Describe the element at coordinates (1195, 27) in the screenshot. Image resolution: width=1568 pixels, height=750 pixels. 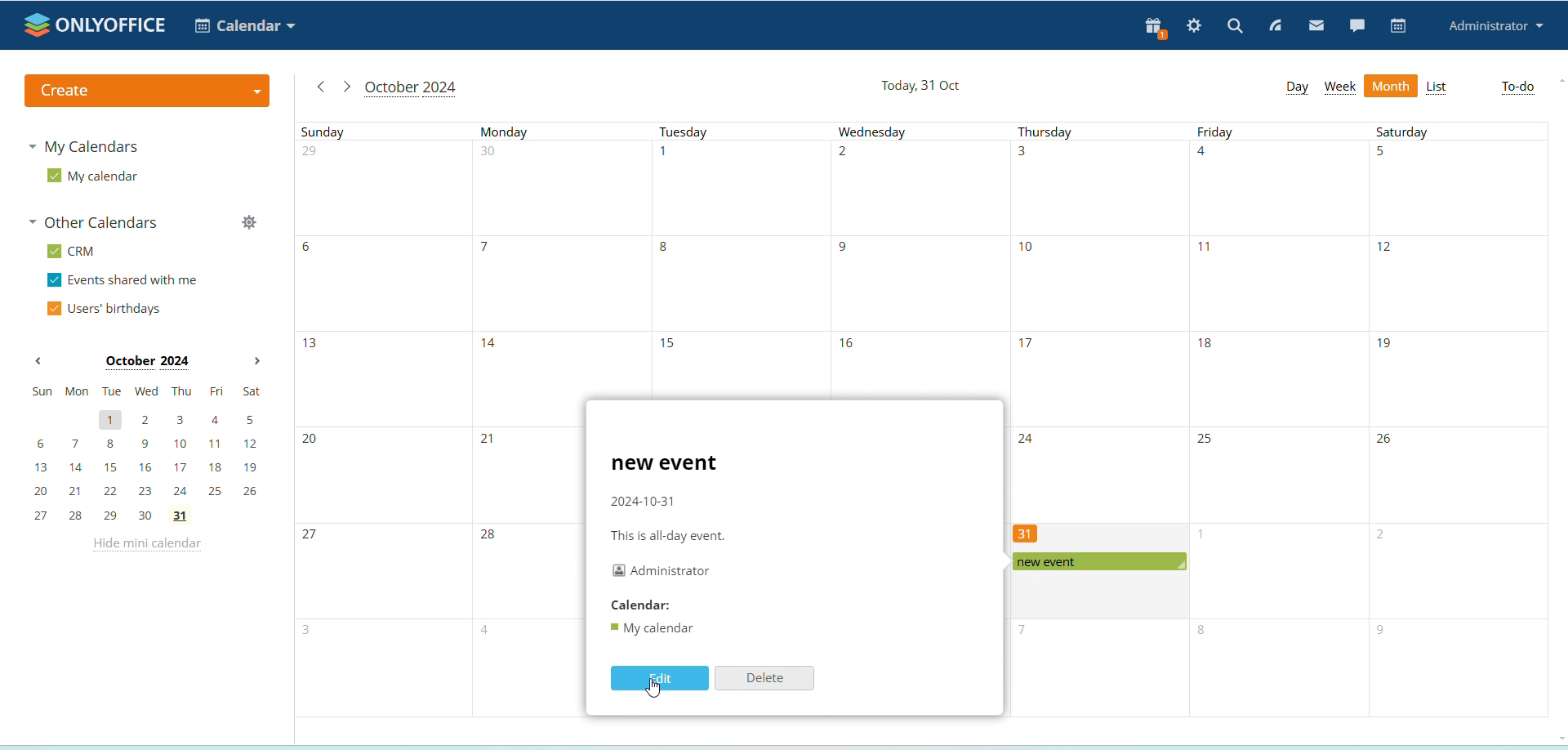
I see `settings` at that location.